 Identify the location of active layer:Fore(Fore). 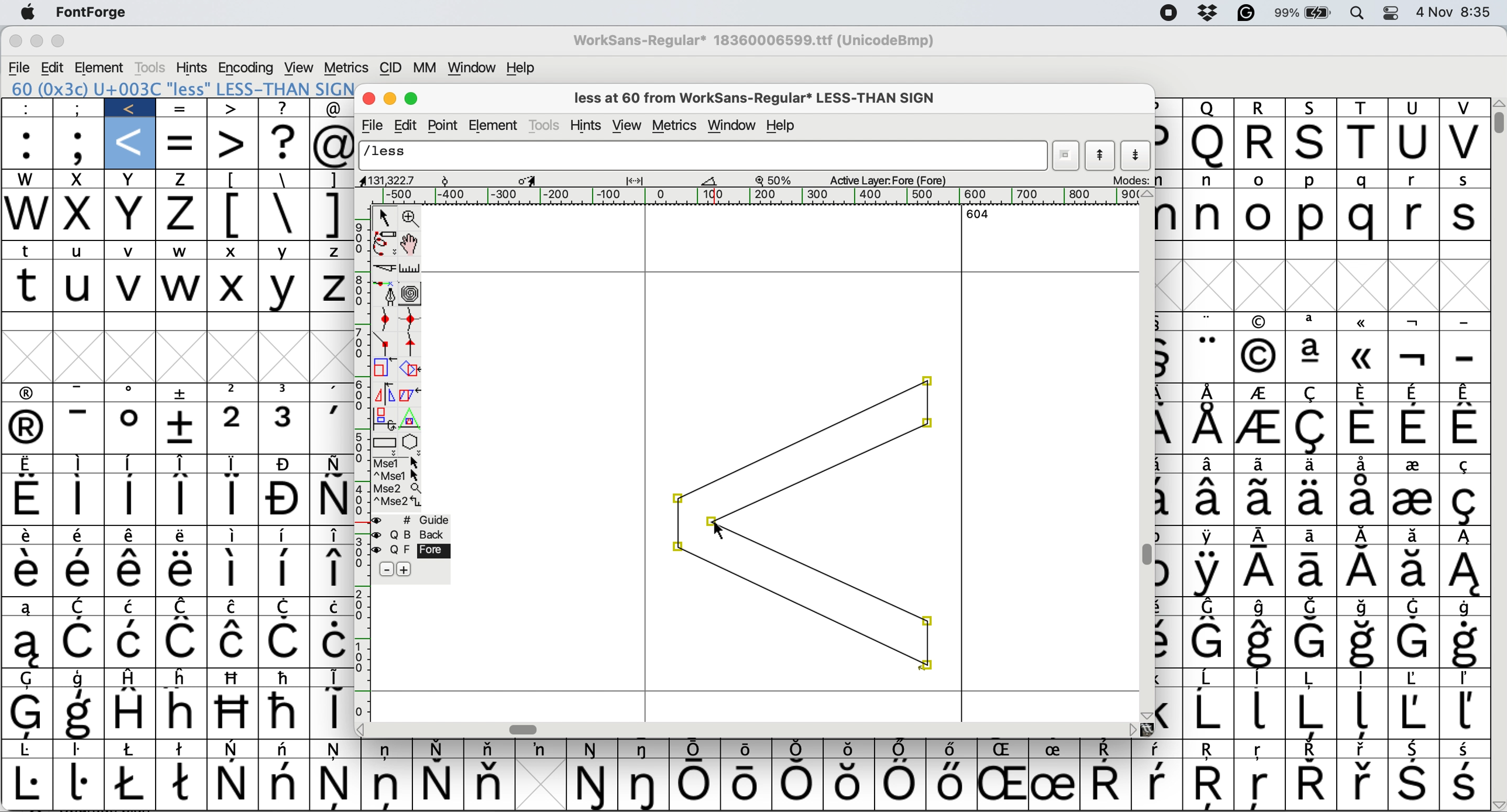
(888, 180).